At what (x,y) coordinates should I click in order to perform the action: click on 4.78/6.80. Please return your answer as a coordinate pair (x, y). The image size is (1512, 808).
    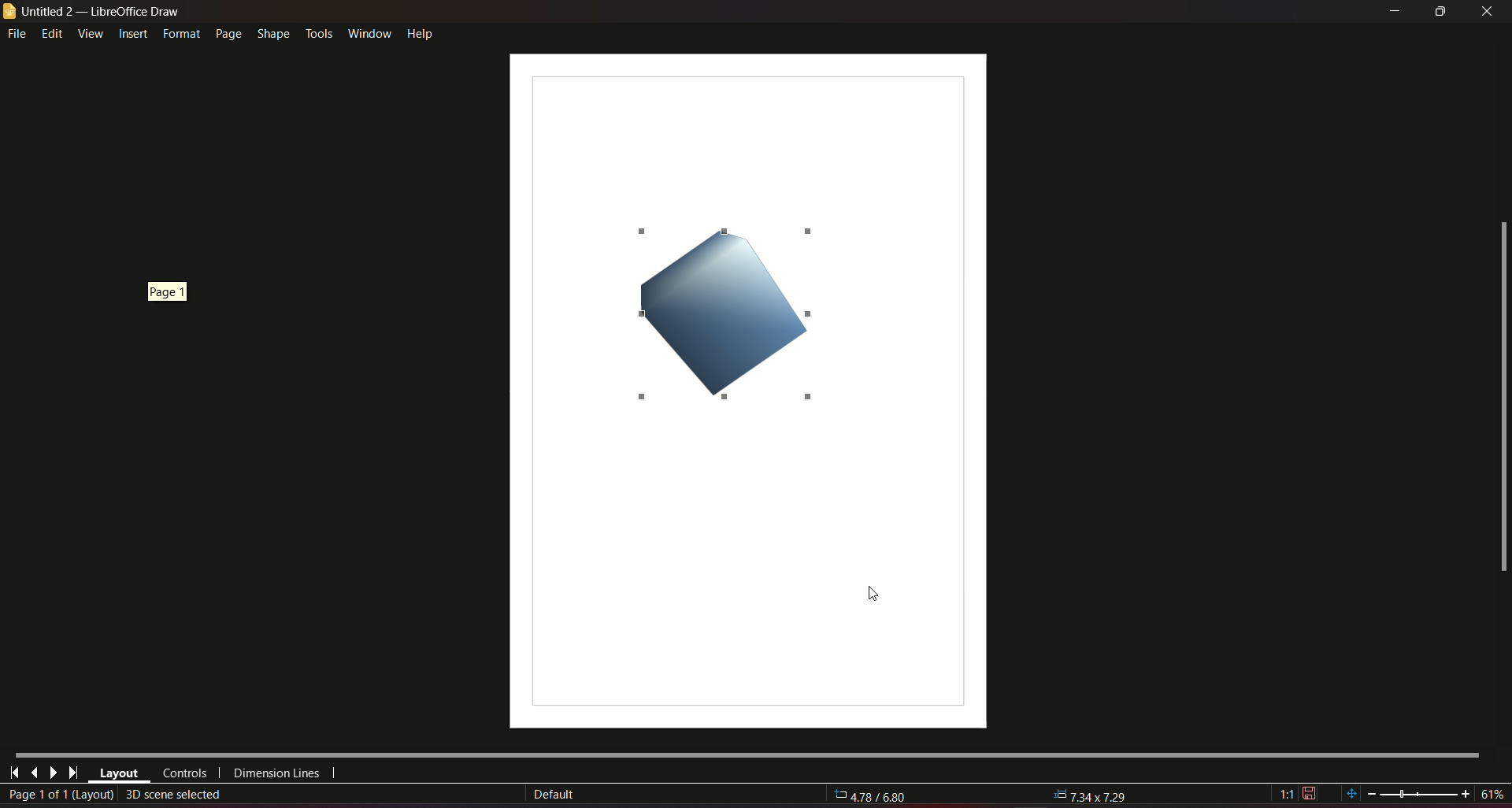
    Looking at the image, I should click on (880, 797).